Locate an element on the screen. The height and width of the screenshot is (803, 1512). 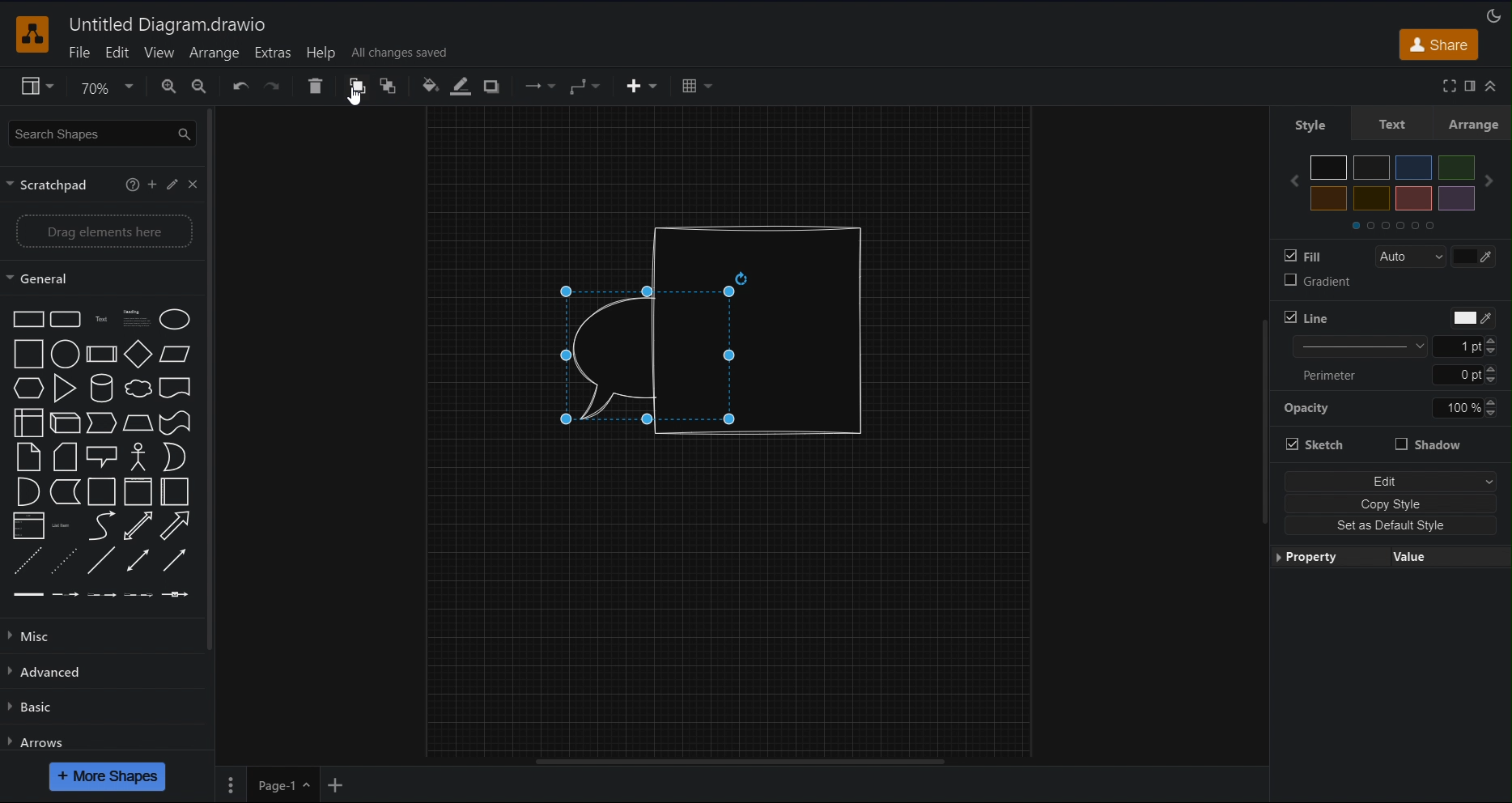
Set as Default Style is located at coordinates (1391, 525).